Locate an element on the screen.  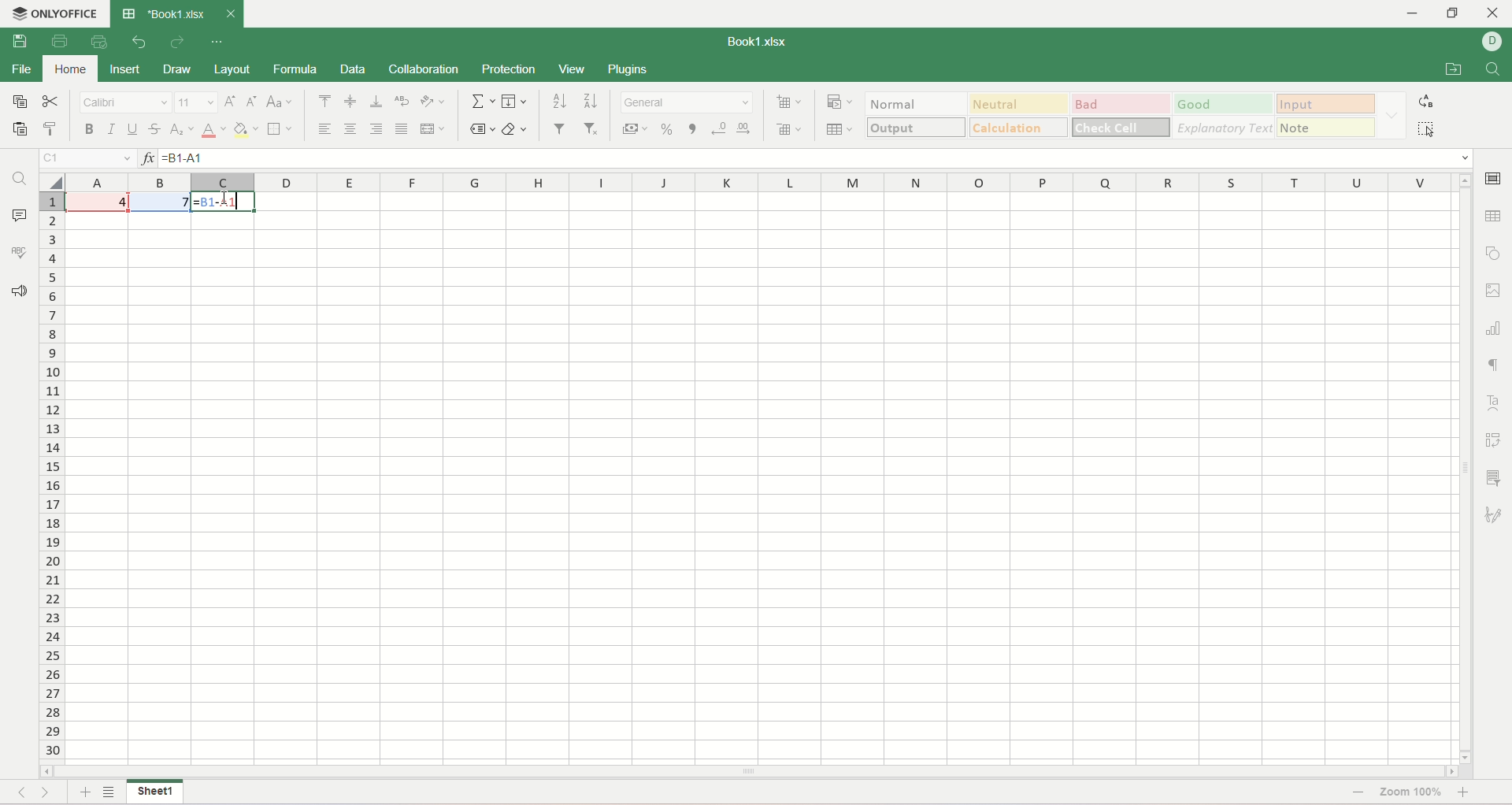
print is located at coordinates (60, 39).